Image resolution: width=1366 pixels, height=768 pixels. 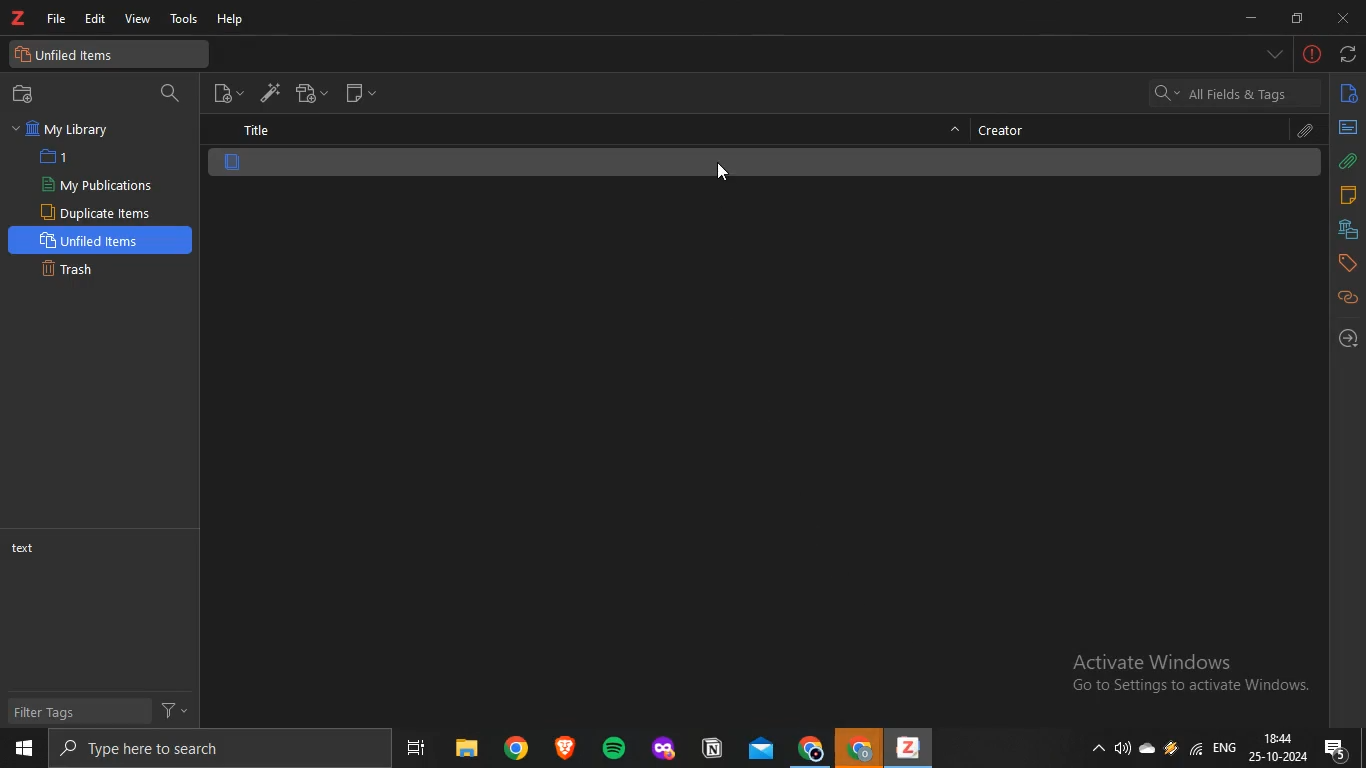 I want to click on app, so click(x=708, y=747).